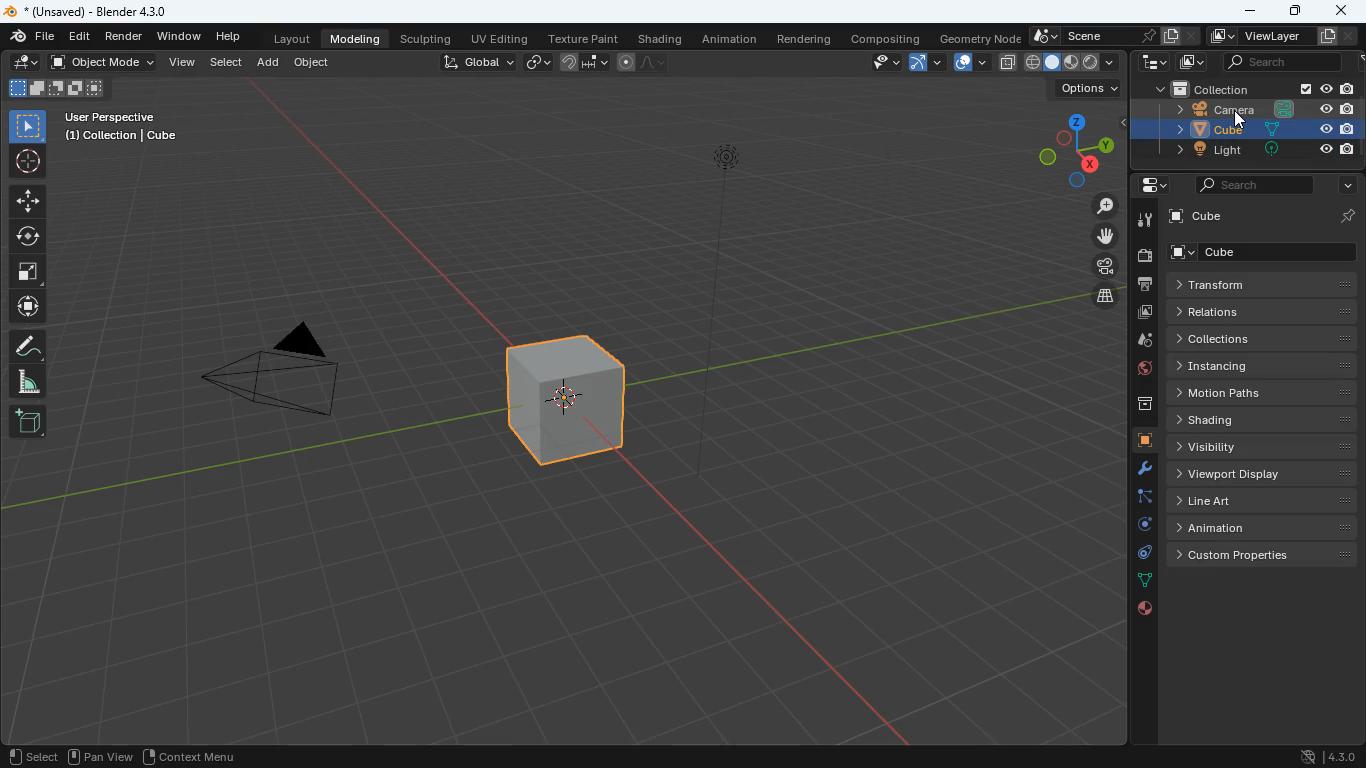 Image resolution: width=1366 pixels, height=768 pixels. I want to click on uv editing, so click(500, 38).